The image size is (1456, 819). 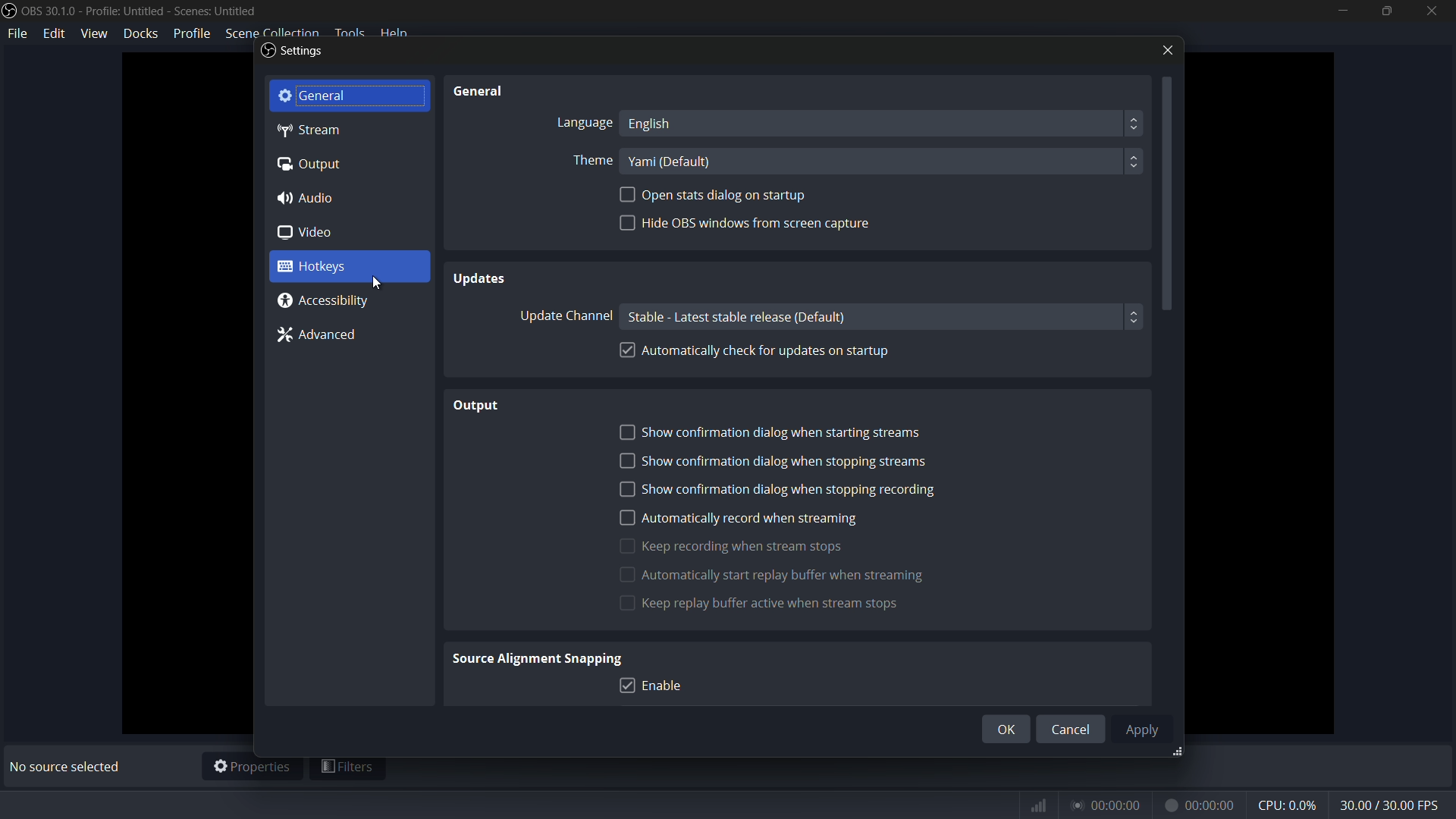 I want to click on advanced, so click(x=315, y=335).